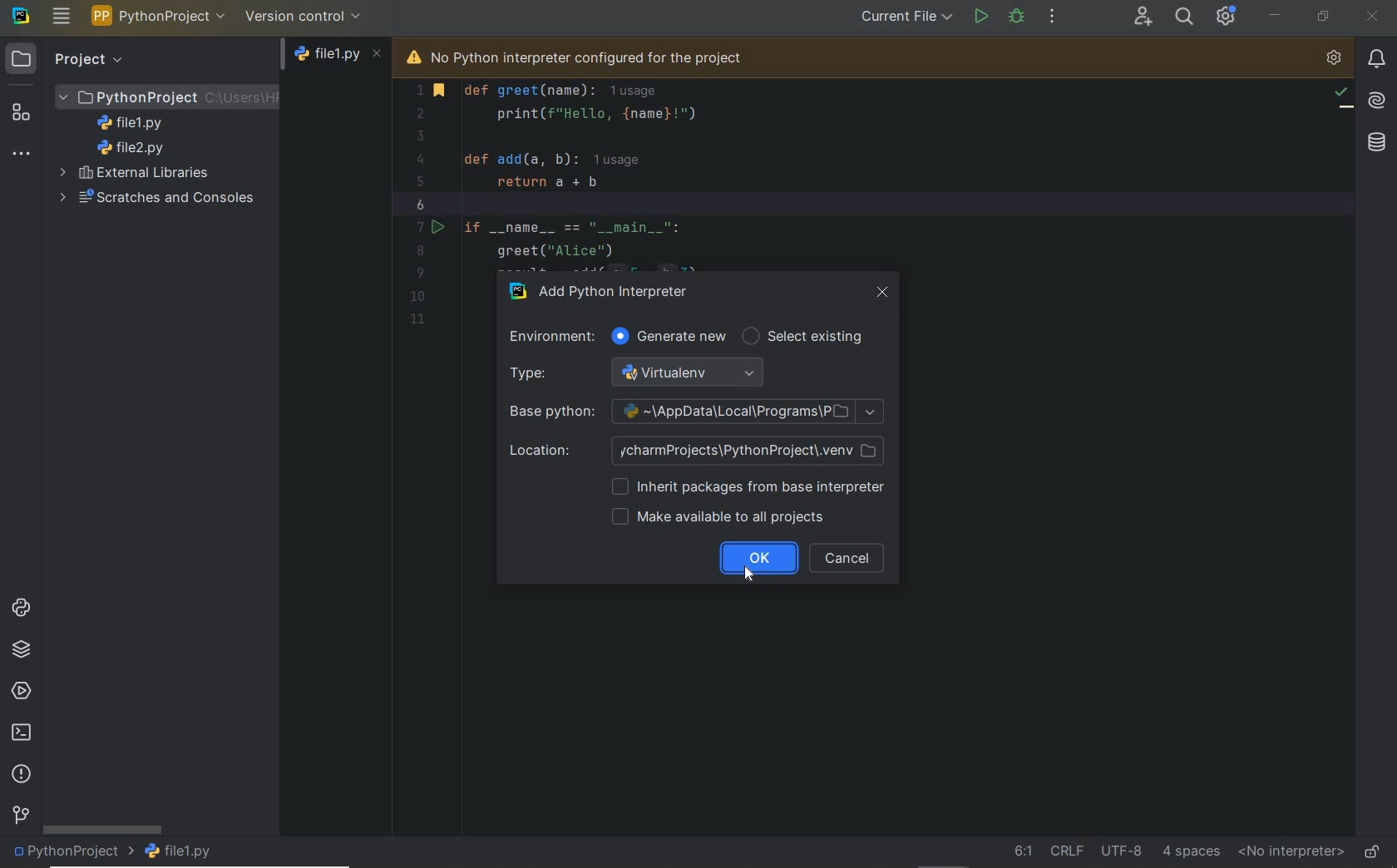  What do you see at coordinates (22, 733) in the screenshot?
I see `terminal` at bounding box center [22, 733].